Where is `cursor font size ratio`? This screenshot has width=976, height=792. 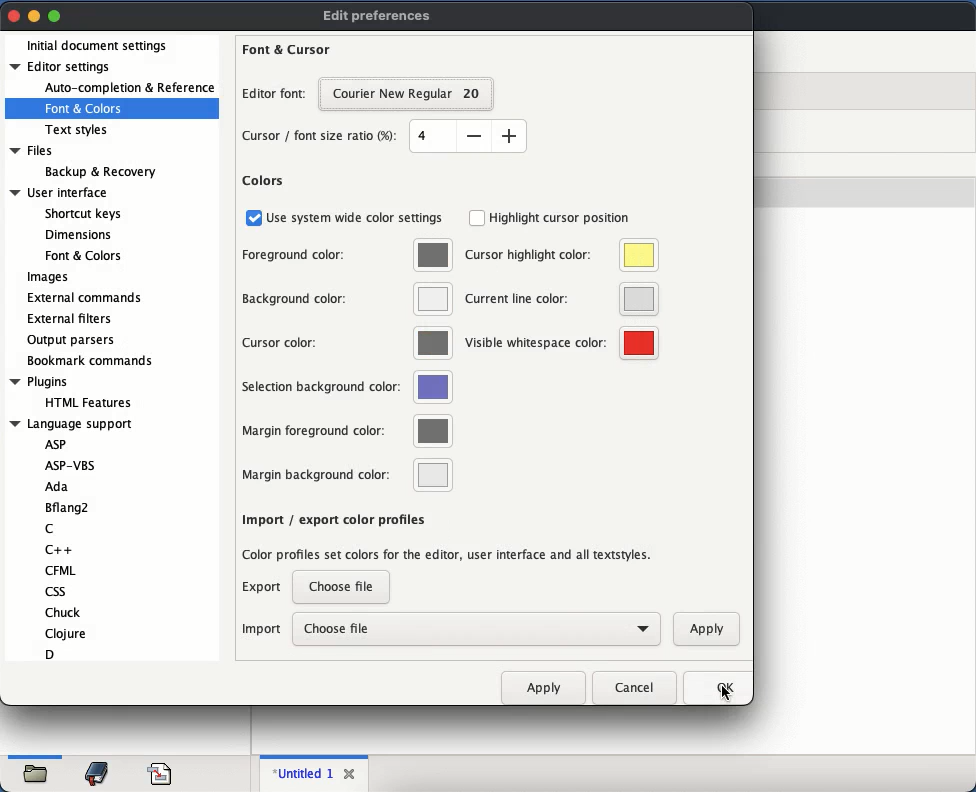
cursor font size ratio is located at coordinates (321, 136).